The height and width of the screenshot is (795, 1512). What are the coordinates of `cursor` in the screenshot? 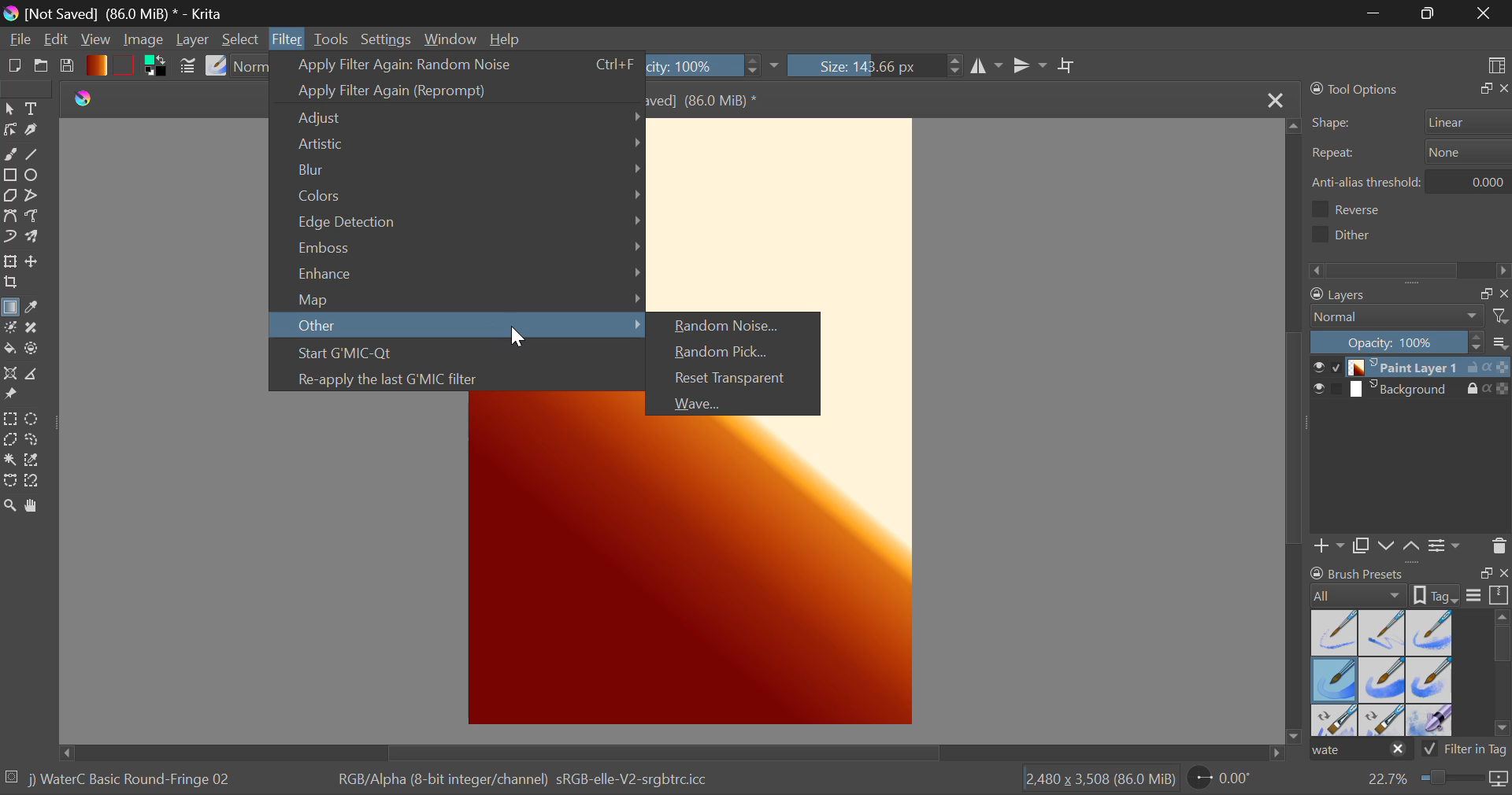 It's located at (518, 338).